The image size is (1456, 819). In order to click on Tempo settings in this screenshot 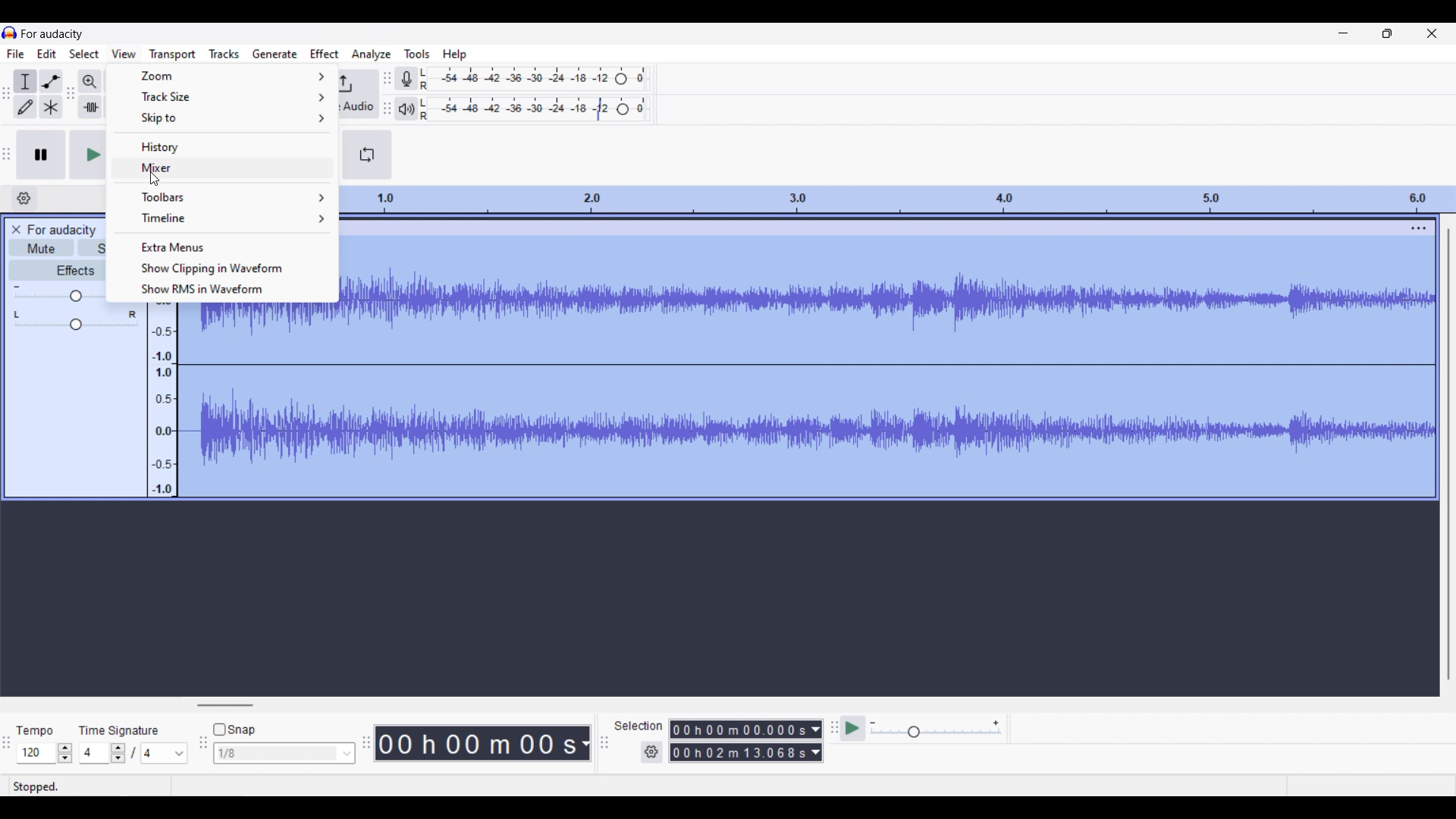, I will do `click(45, 753)`.